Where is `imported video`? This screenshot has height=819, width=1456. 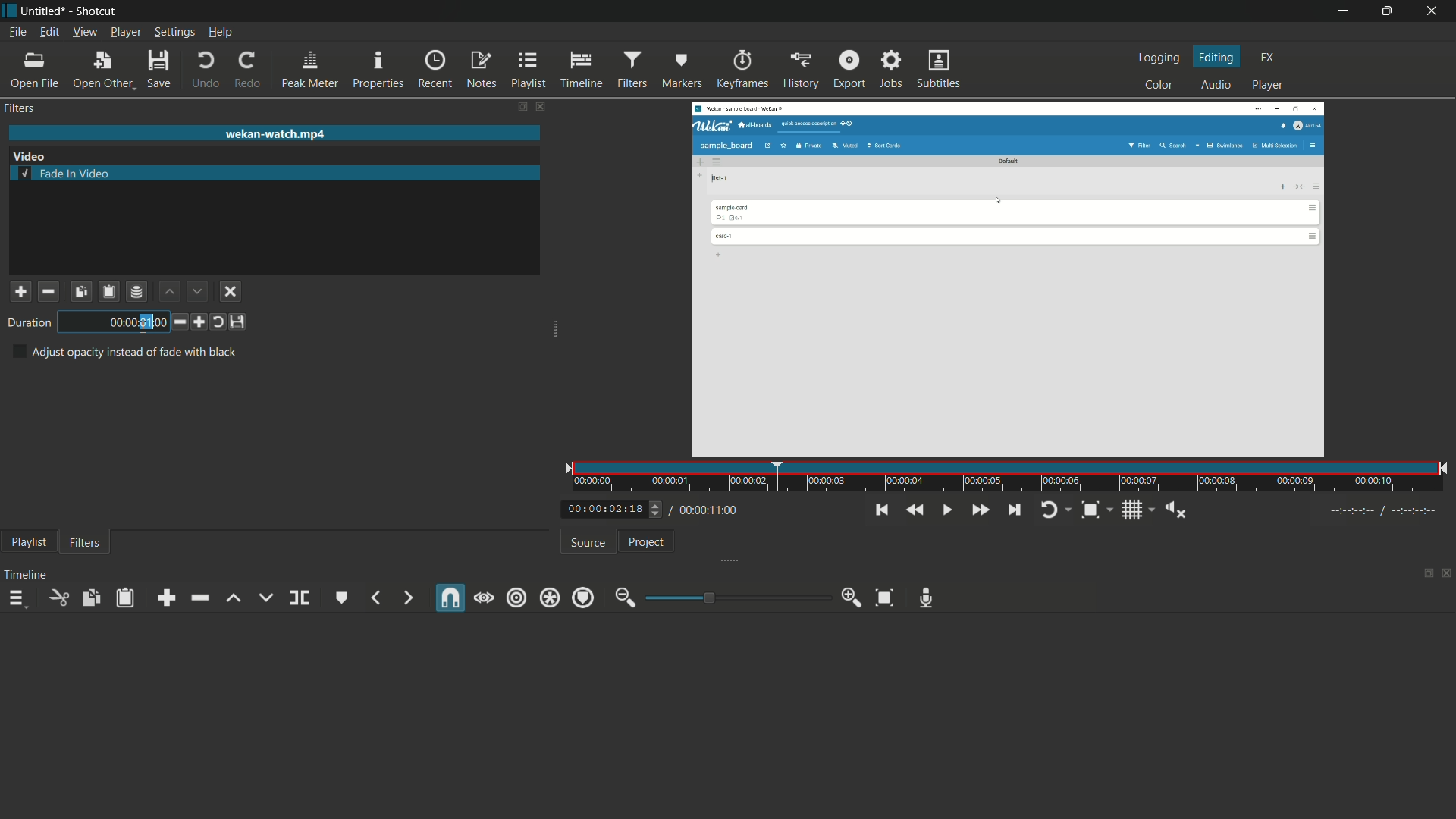 imported video is located at coordinates (1012, 279).